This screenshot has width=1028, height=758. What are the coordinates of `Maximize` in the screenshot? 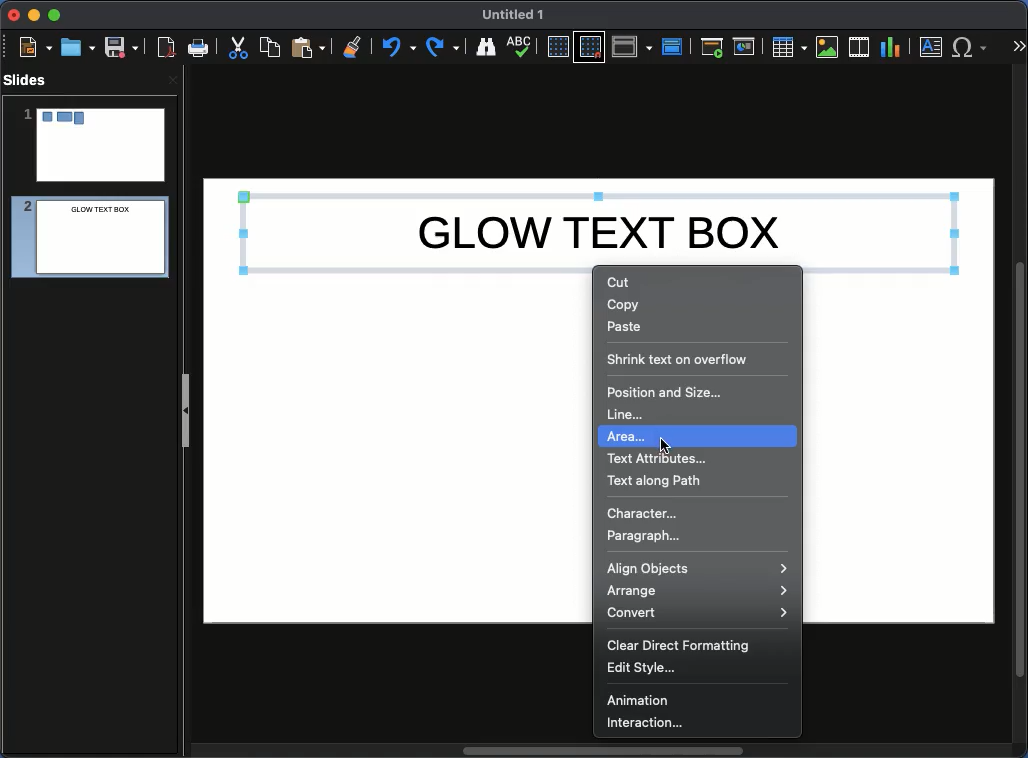 It's located at (55, 17).